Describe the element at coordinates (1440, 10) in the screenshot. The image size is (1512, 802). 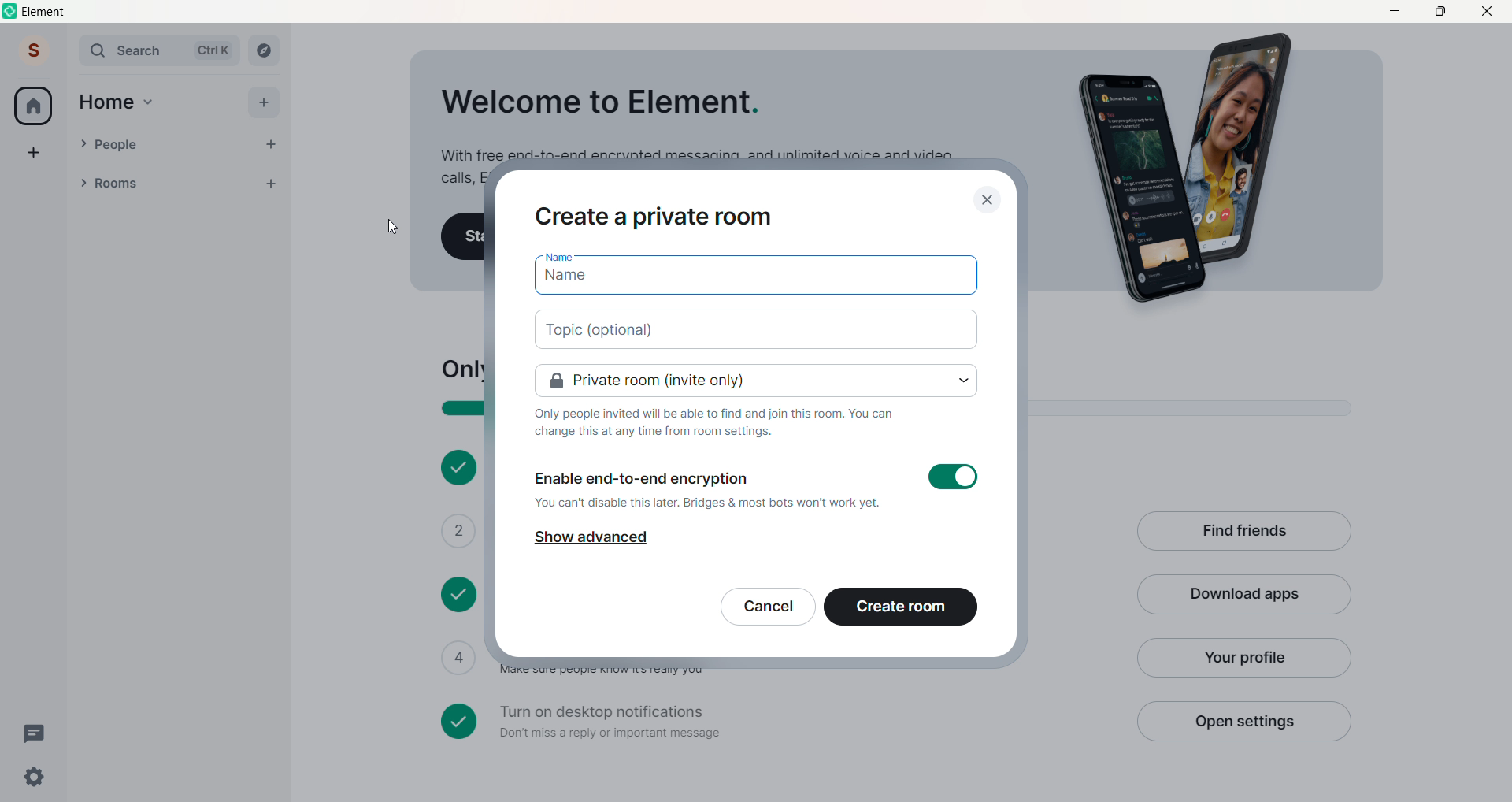
I see `Maximize` at that location.